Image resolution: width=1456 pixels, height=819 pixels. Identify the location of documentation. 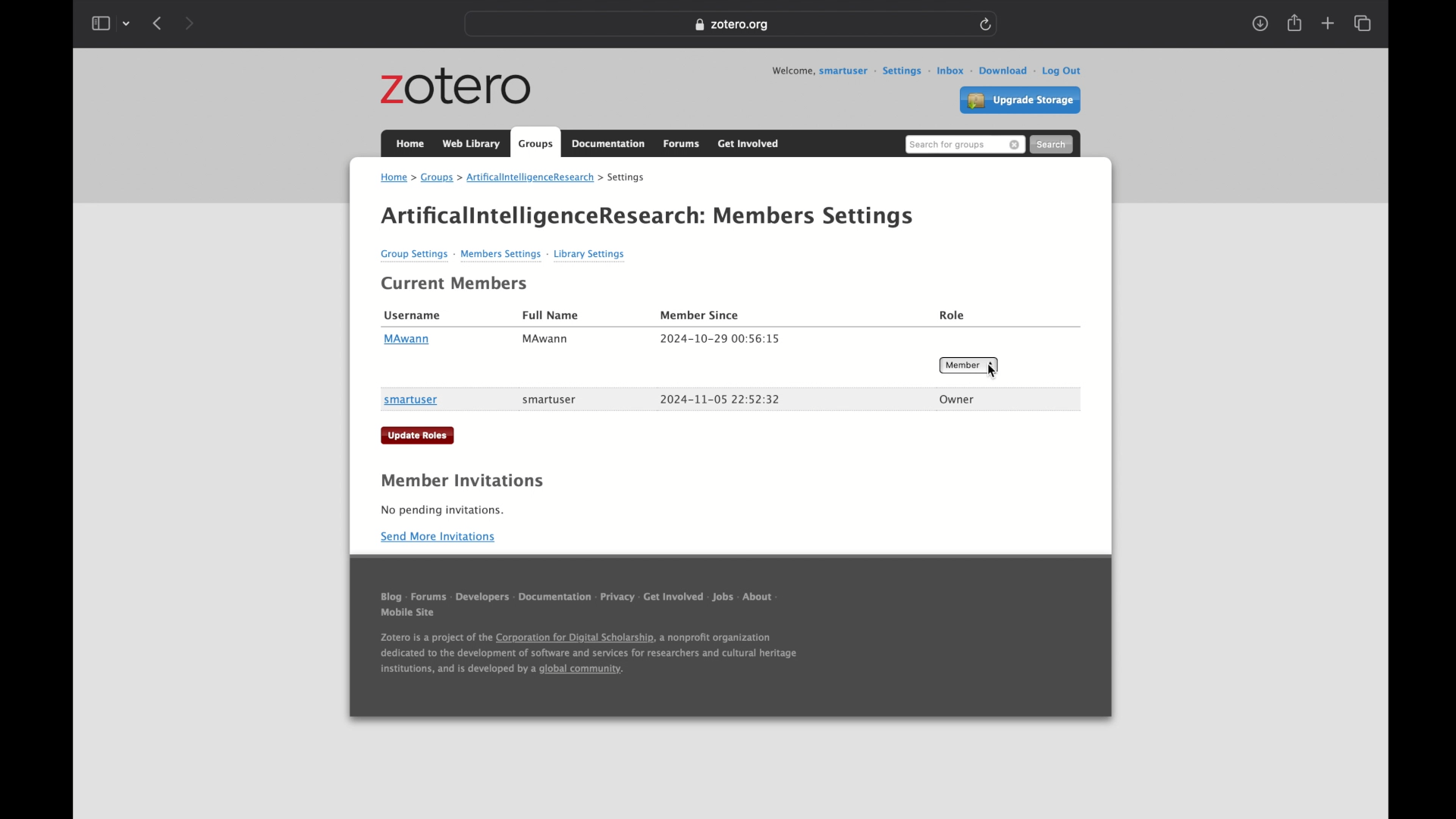
(609, 144).